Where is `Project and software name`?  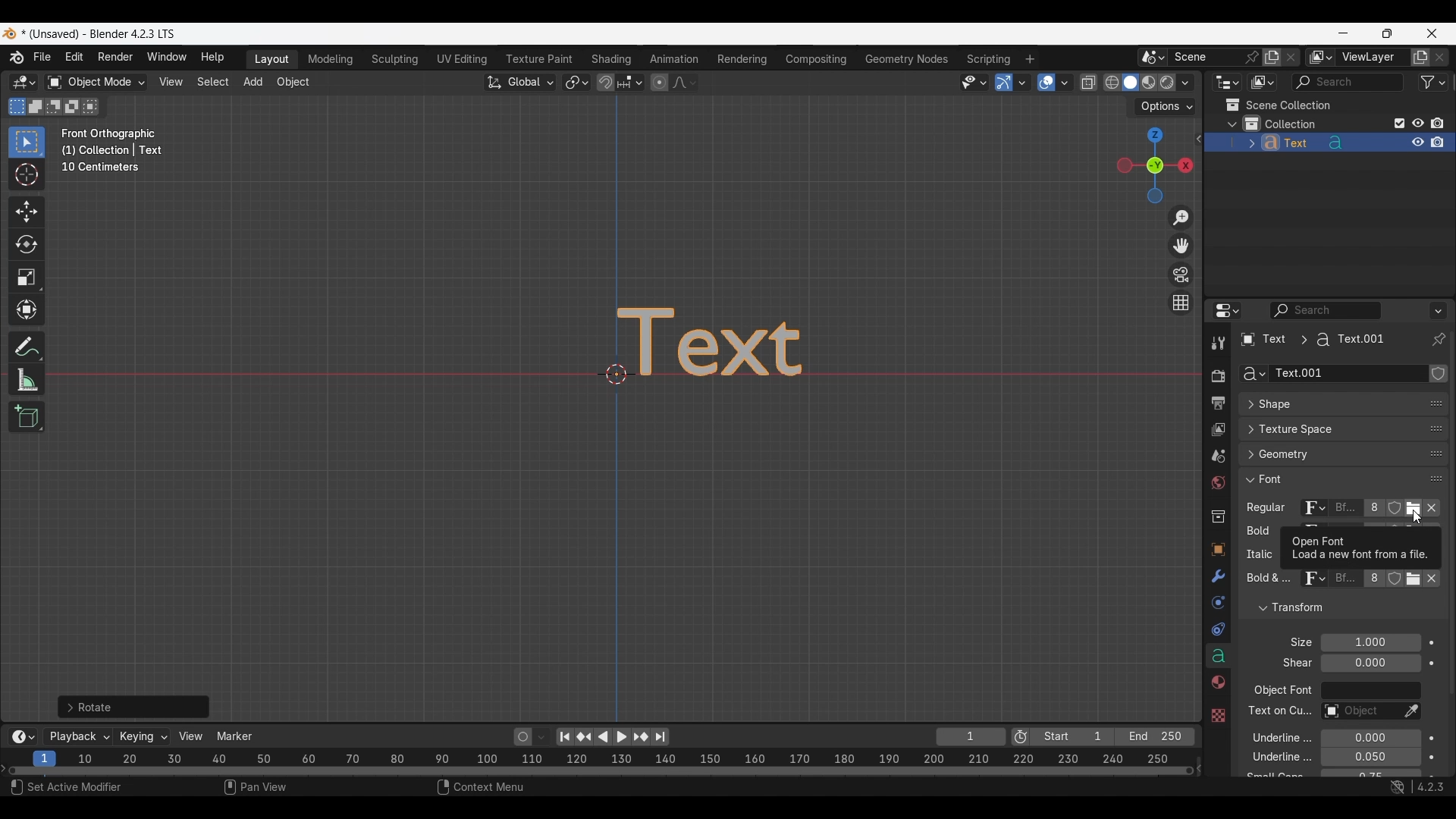
Project and software name is located at coordinates (99, 34).